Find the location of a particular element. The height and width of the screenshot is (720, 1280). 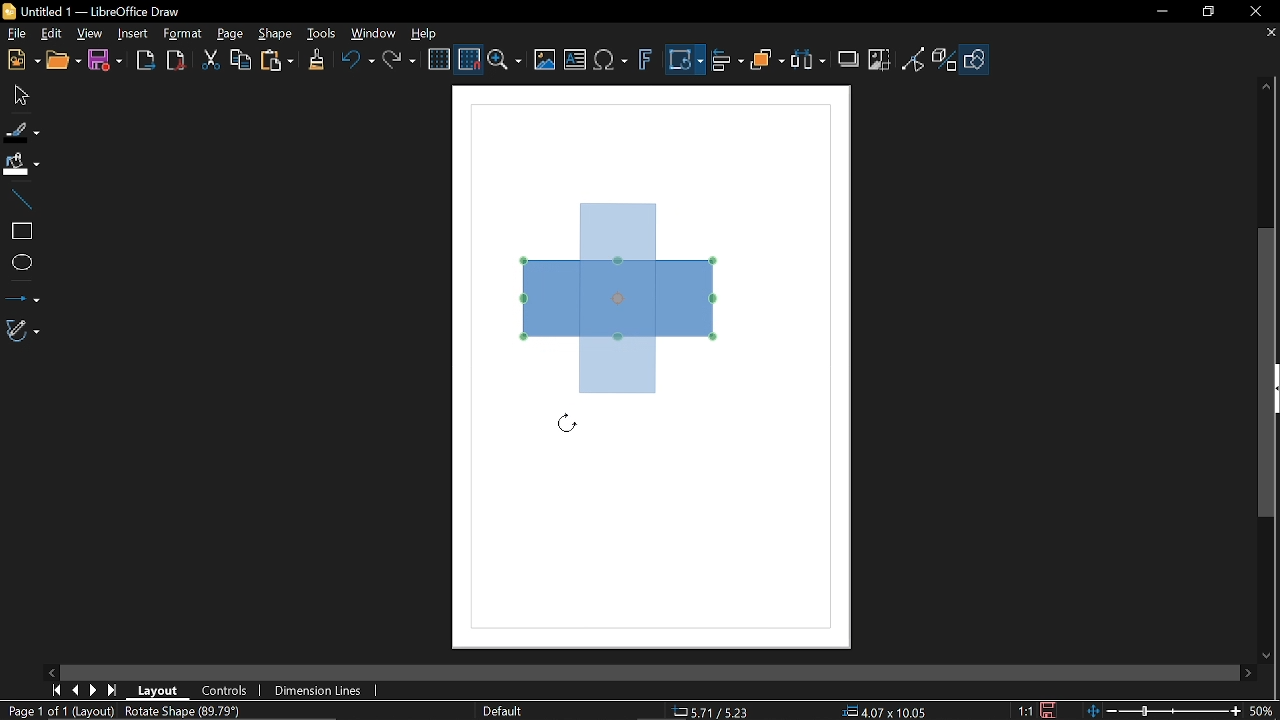

Tools is located at coordinates (322, 34).